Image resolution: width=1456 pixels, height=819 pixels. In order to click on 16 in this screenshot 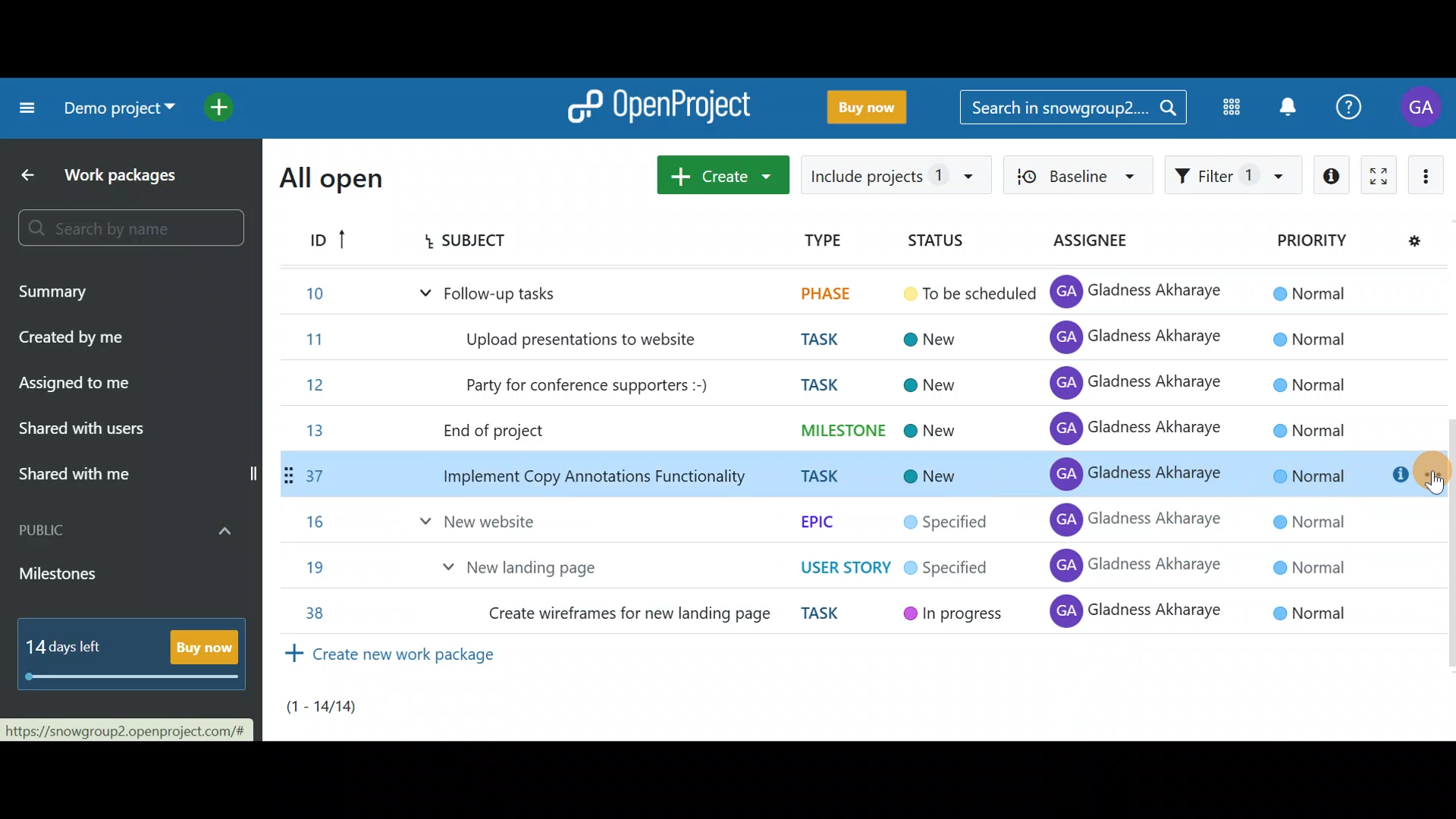, I will do `click(313, 523)`.